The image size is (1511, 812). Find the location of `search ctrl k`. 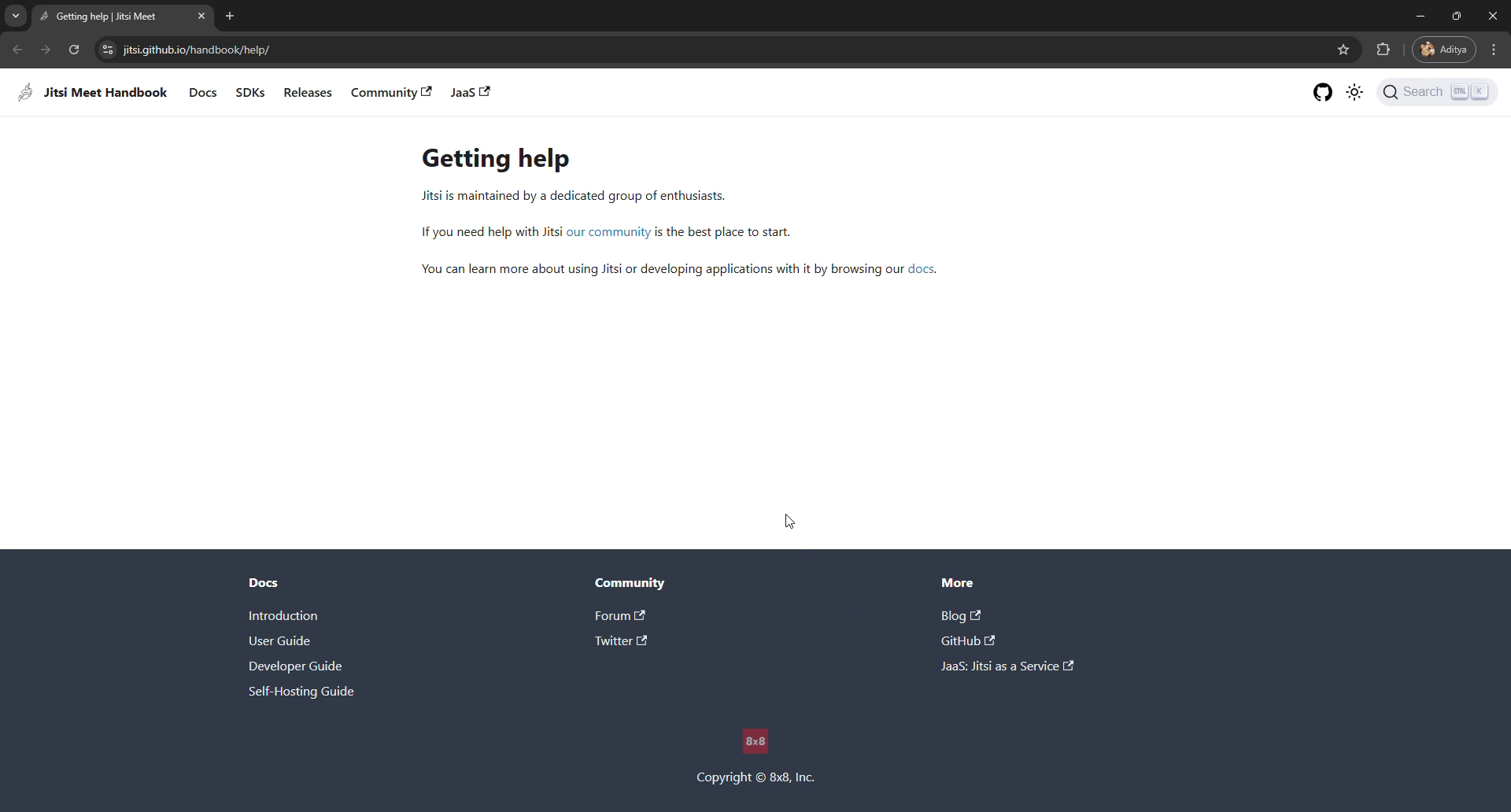

search ctrl k is located at coordinates (1435, 92).